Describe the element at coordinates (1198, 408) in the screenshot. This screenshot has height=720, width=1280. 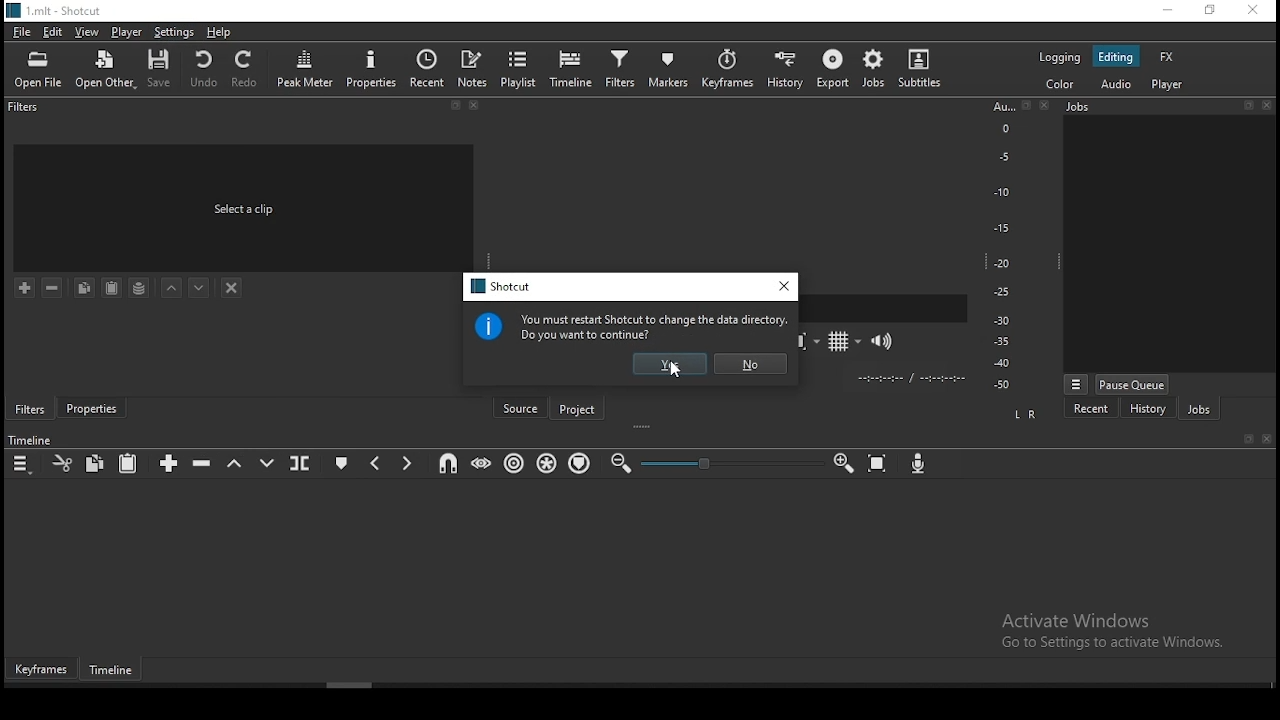
I see `jobs` at that location.